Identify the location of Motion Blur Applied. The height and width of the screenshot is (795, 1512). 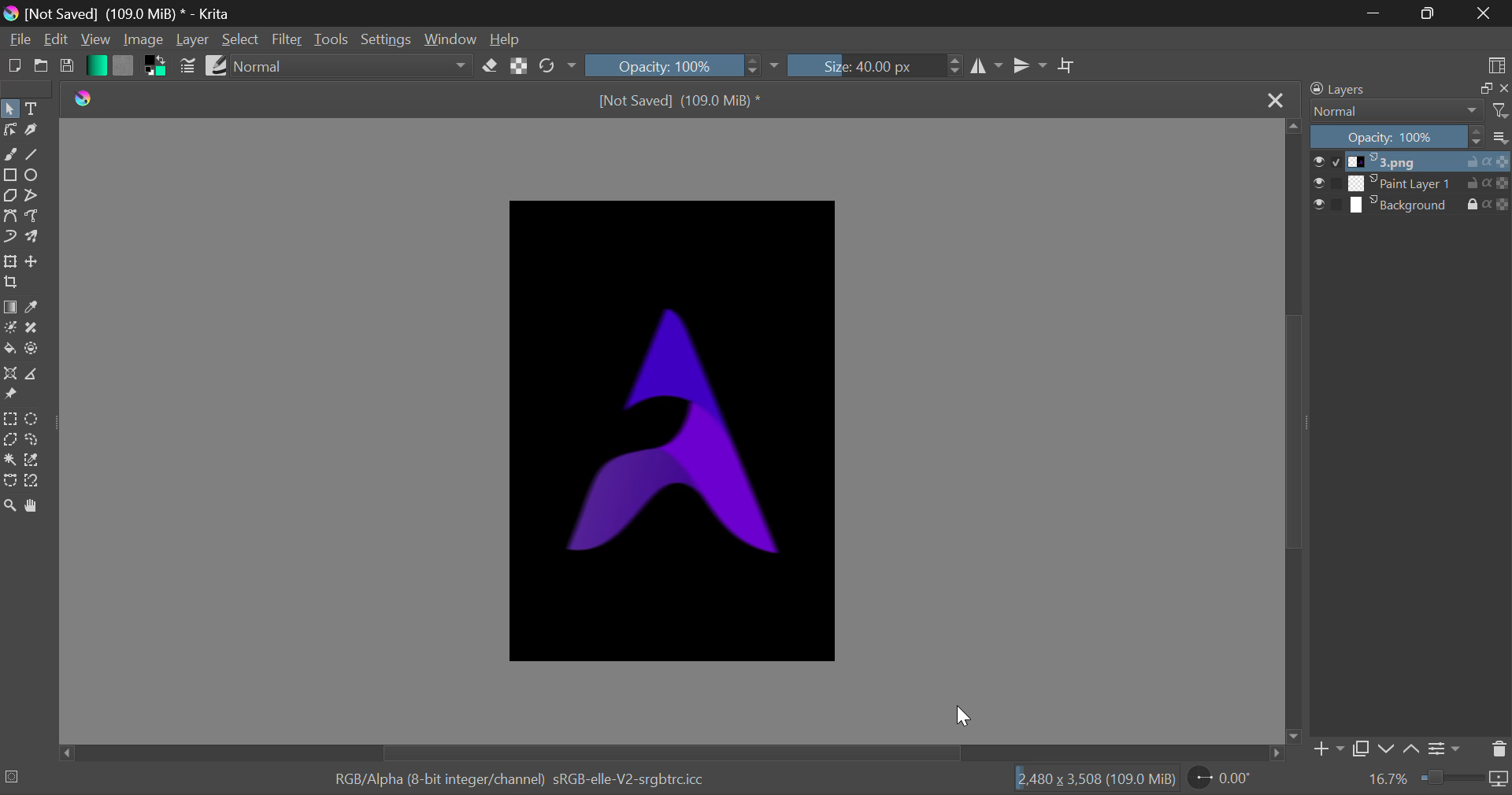
(672, 433).